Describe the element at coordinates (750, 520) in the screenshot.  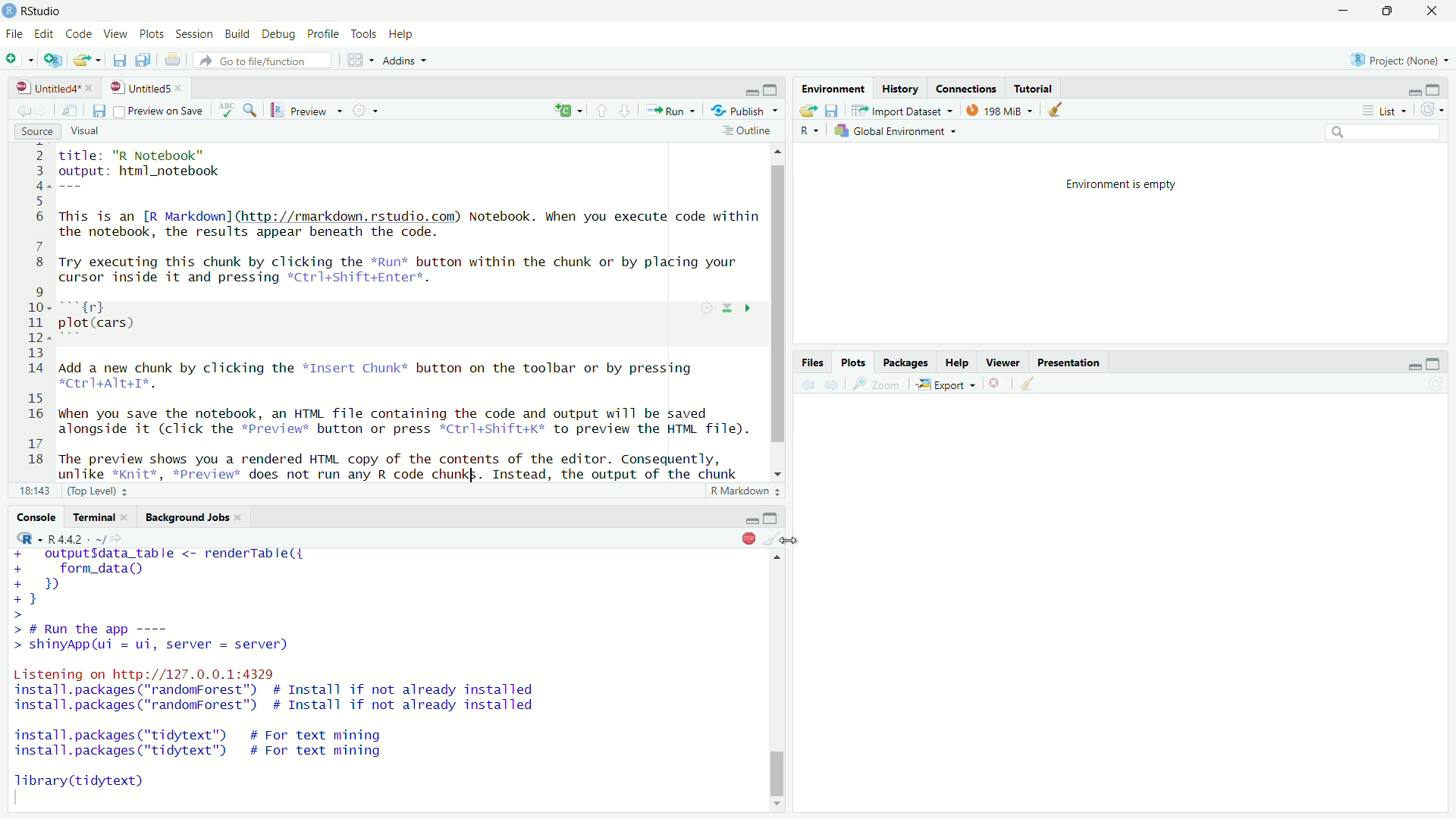
I see `minimize` at that location.